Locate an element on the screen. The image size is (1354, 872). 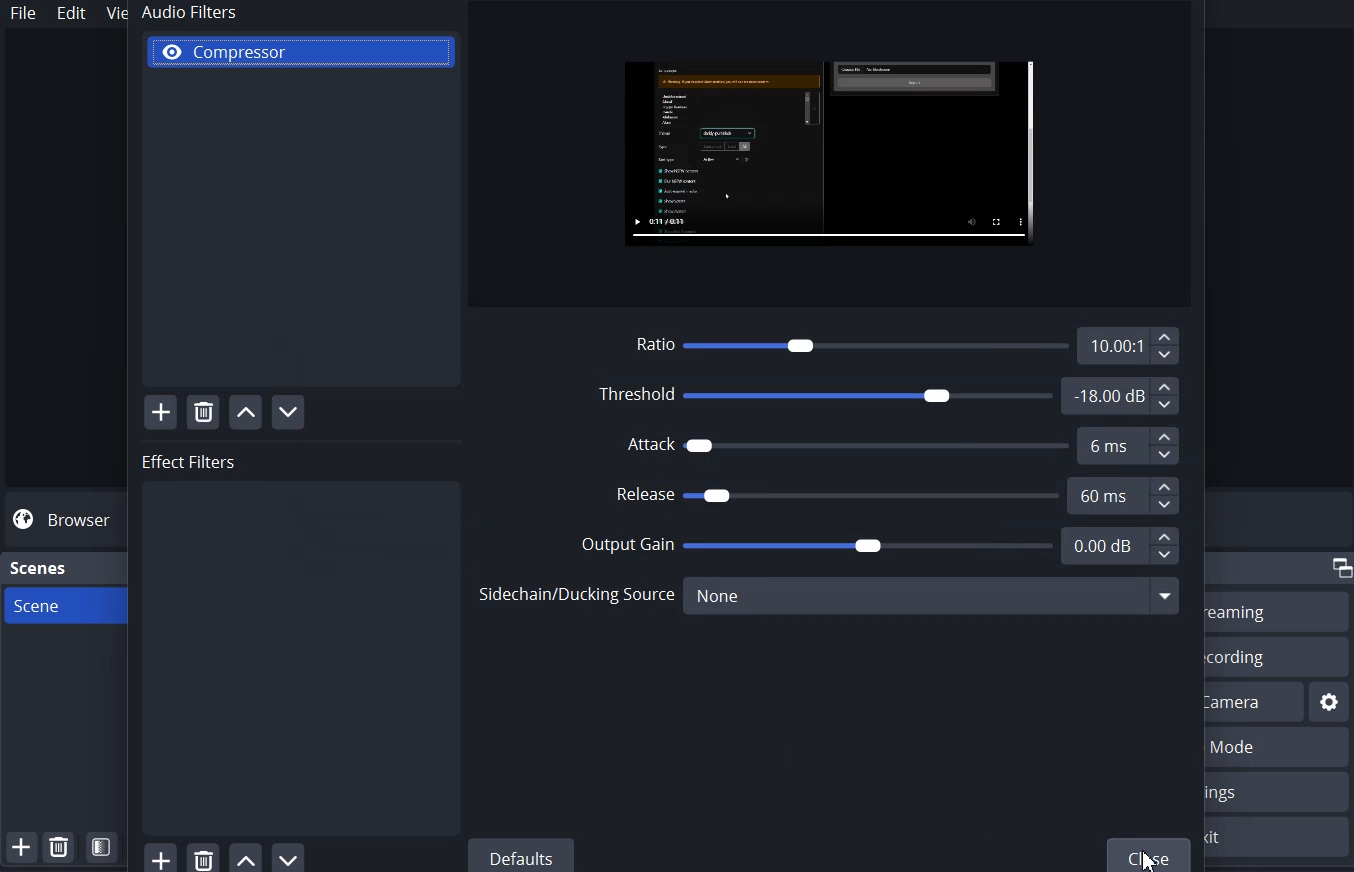
Edit is located at coordinates (73, 13).